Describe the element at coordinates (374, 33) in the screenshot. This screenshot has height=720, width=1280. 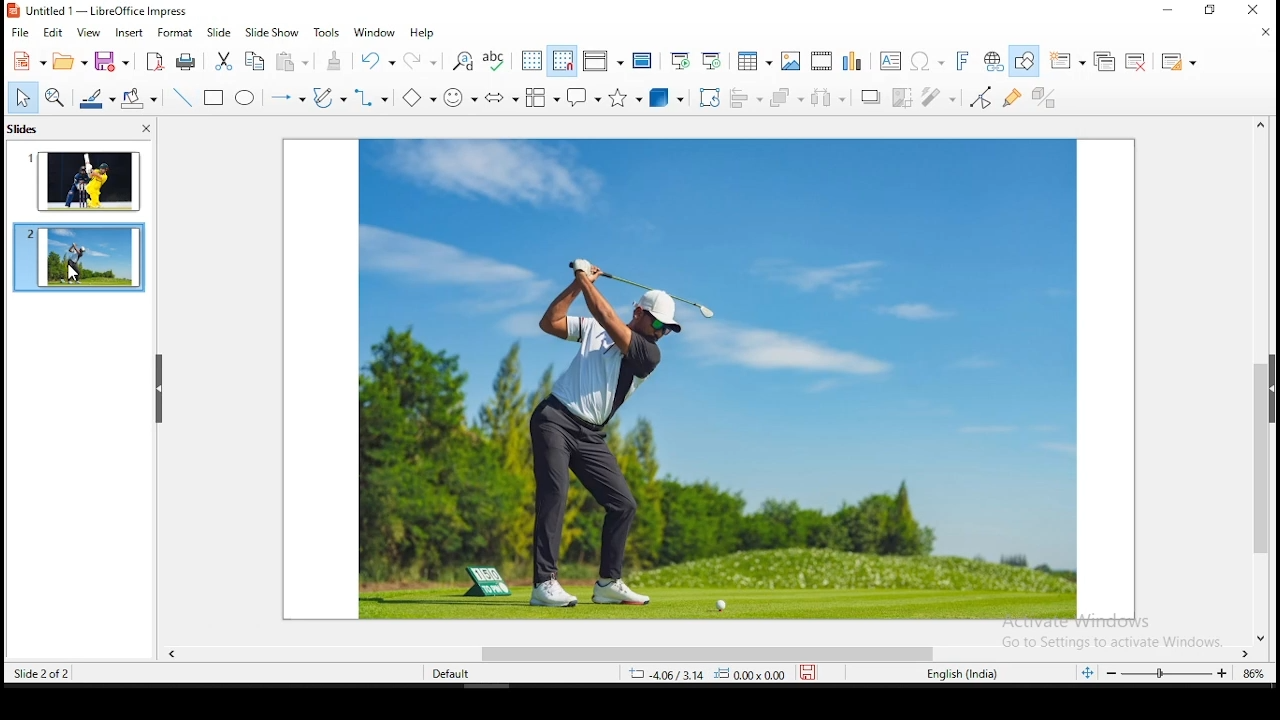
I see `window` at that location.